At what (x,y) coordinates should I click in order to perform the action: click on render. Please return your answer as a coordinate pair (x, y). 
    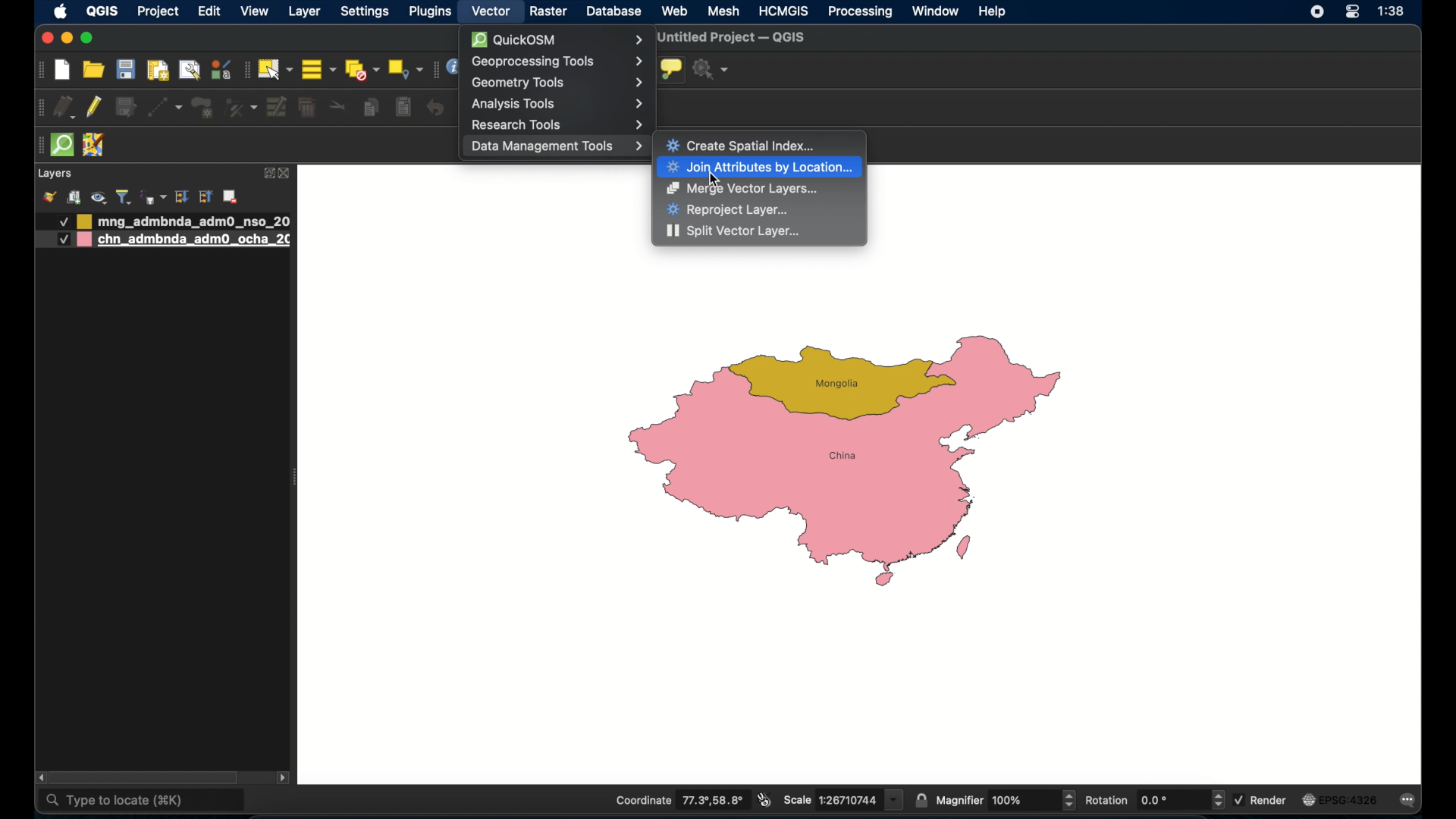
    Looking at the image, I should click on (1260, 799).